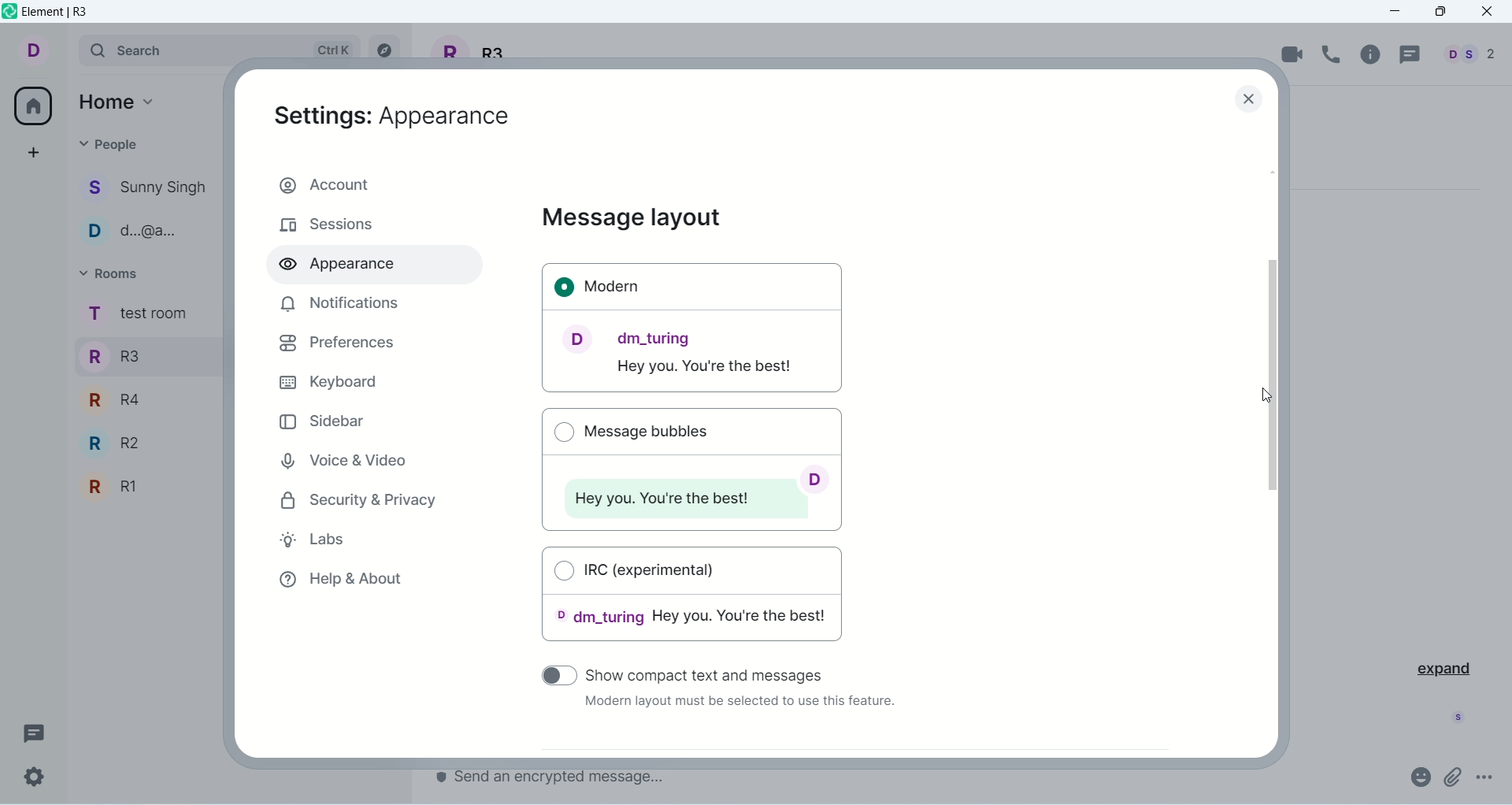  What do you see at coordinates (1277, 459) in the screenshot?
I see `vertical scroll bar` at bounding box center [1277, 459].